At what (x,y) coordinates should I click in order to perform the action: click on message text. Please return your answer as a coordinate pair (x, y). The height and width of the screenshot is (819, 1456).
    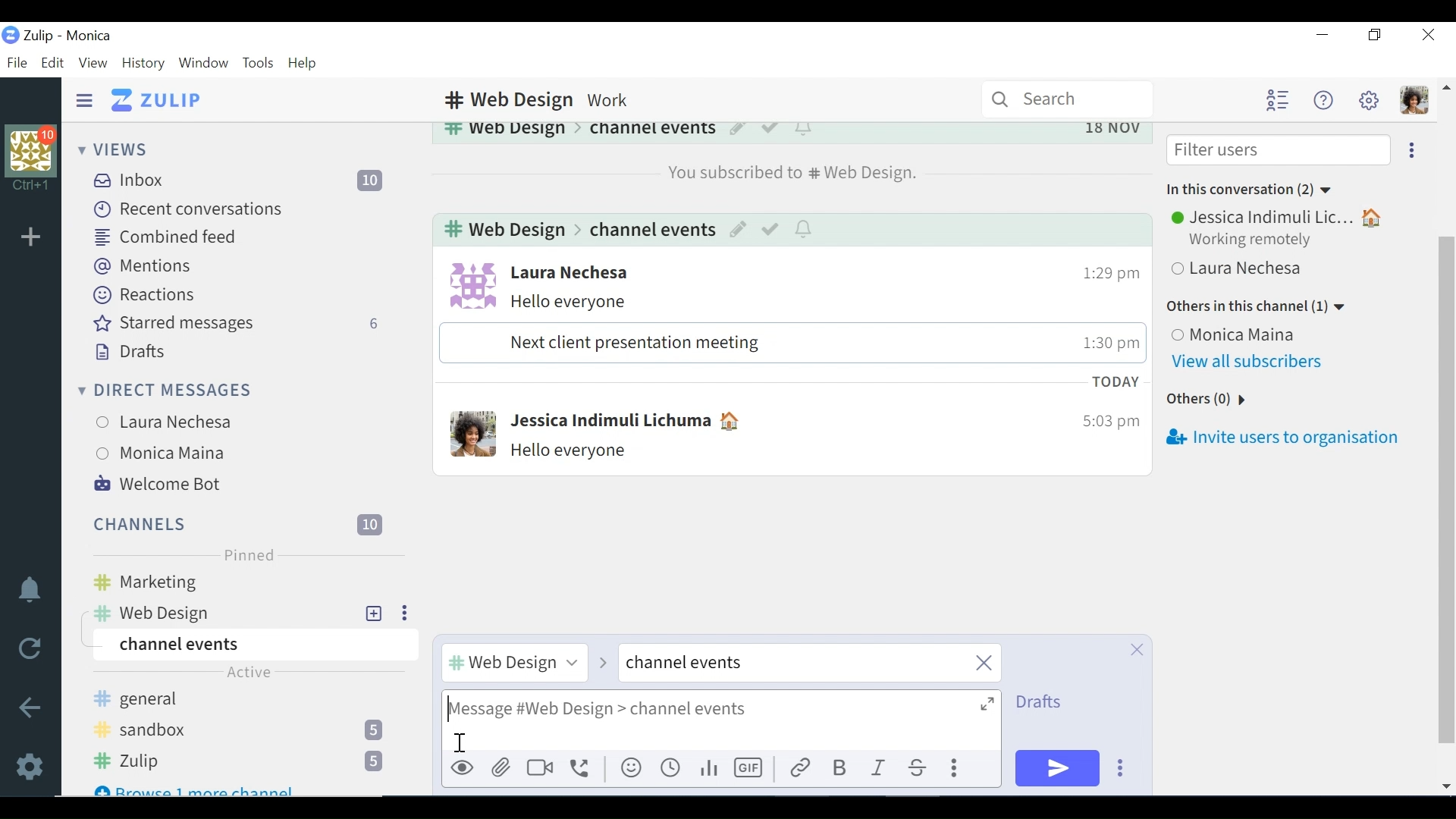
    Looking at the image, I should click on (639, 344).